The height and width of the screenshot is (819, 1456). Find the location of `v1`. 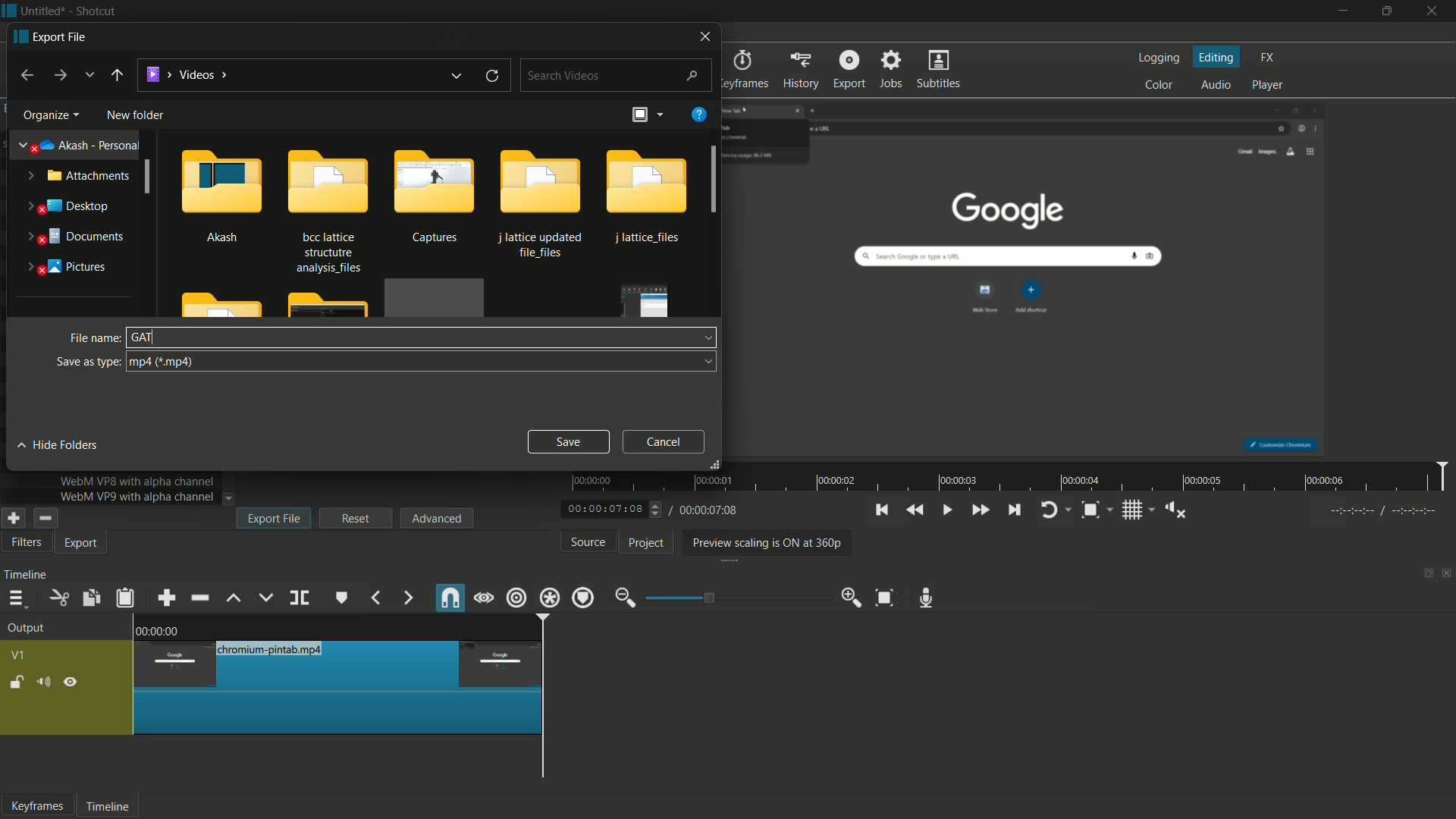

v1 is located at coordinates (20, 657).